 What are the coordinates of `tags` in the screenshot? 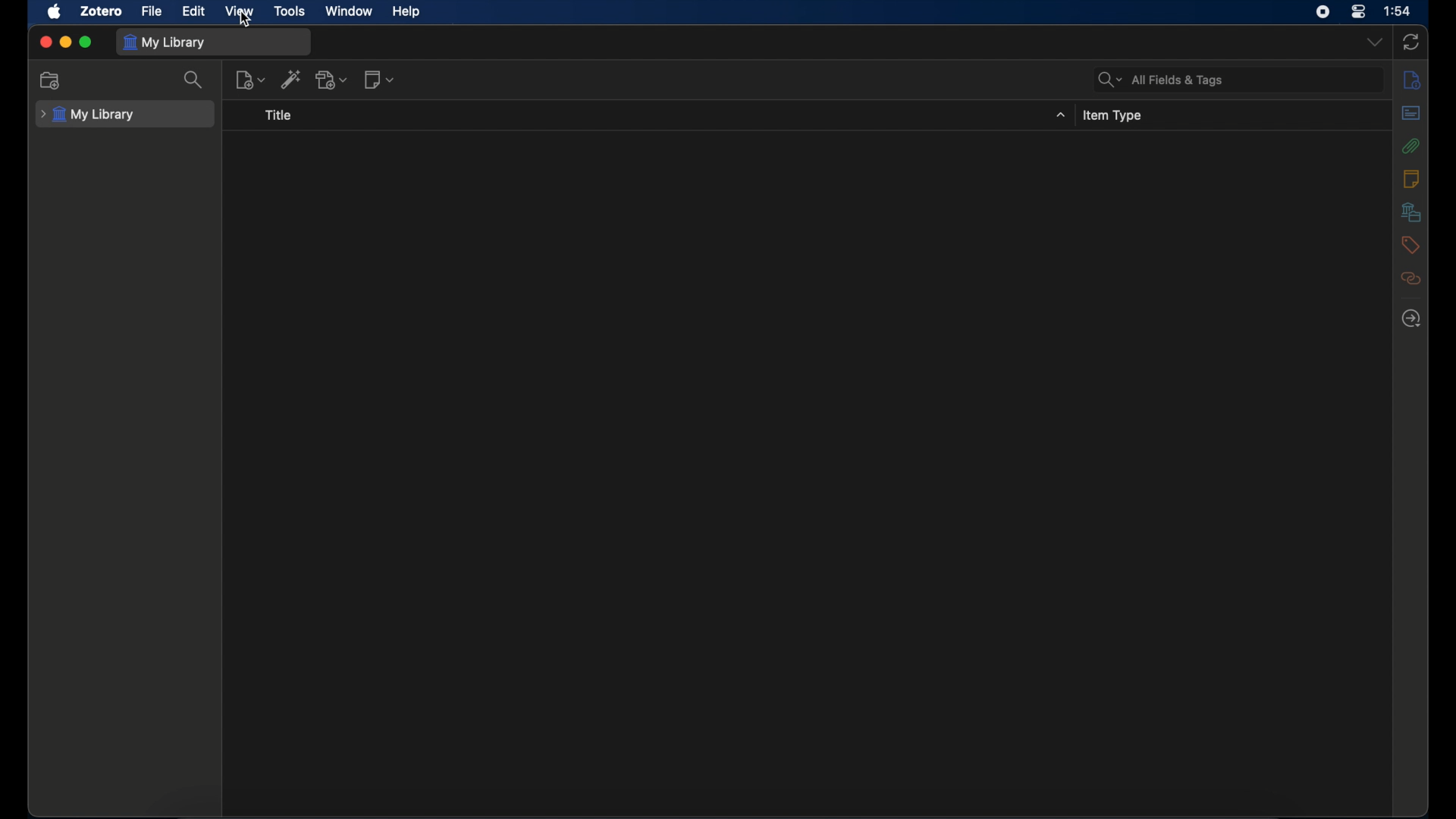 It's located at (1410, 246).